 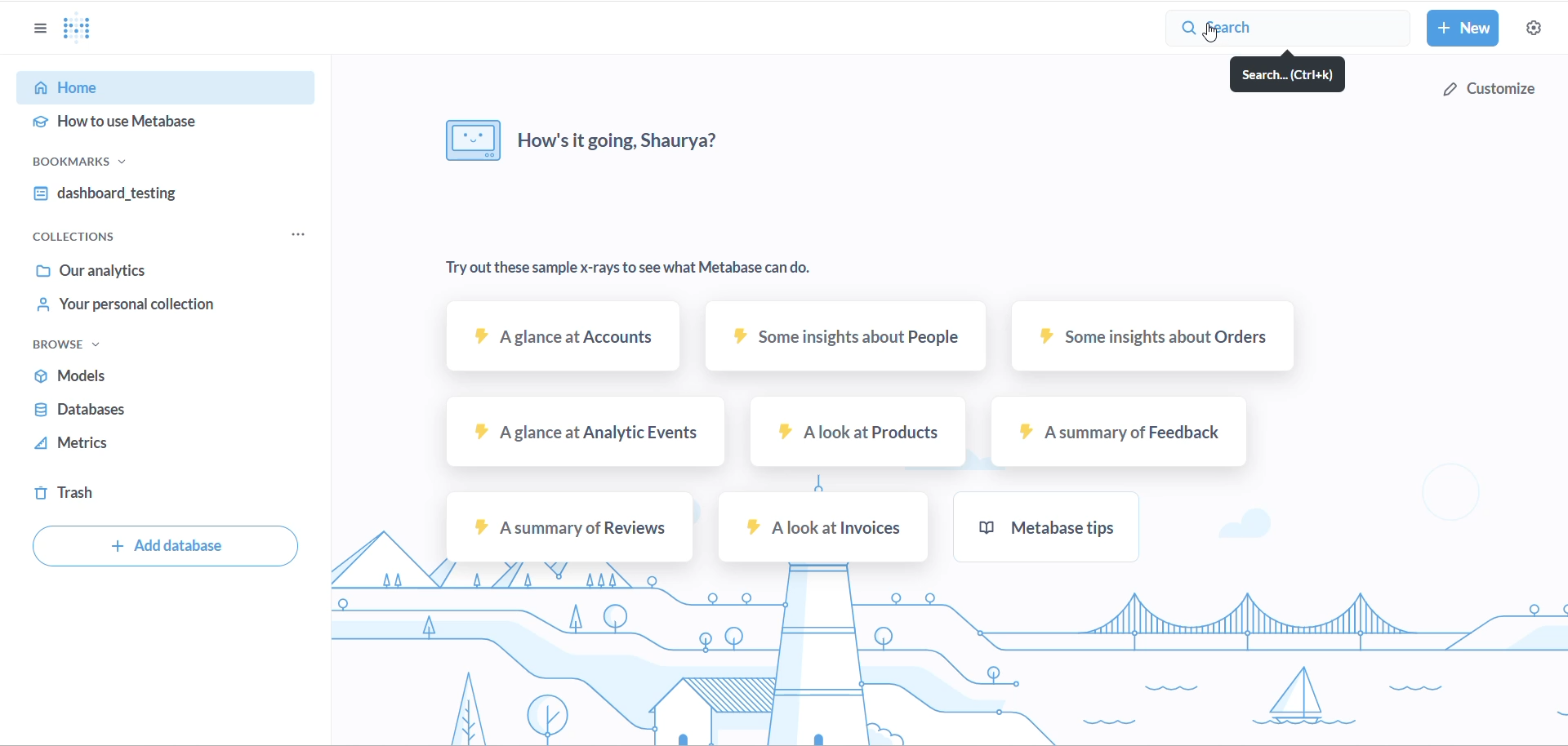 What do you see at coordinates (568, 527) in the screenshot?
I see `A summary of reviews` at bounding box center [568, 527].